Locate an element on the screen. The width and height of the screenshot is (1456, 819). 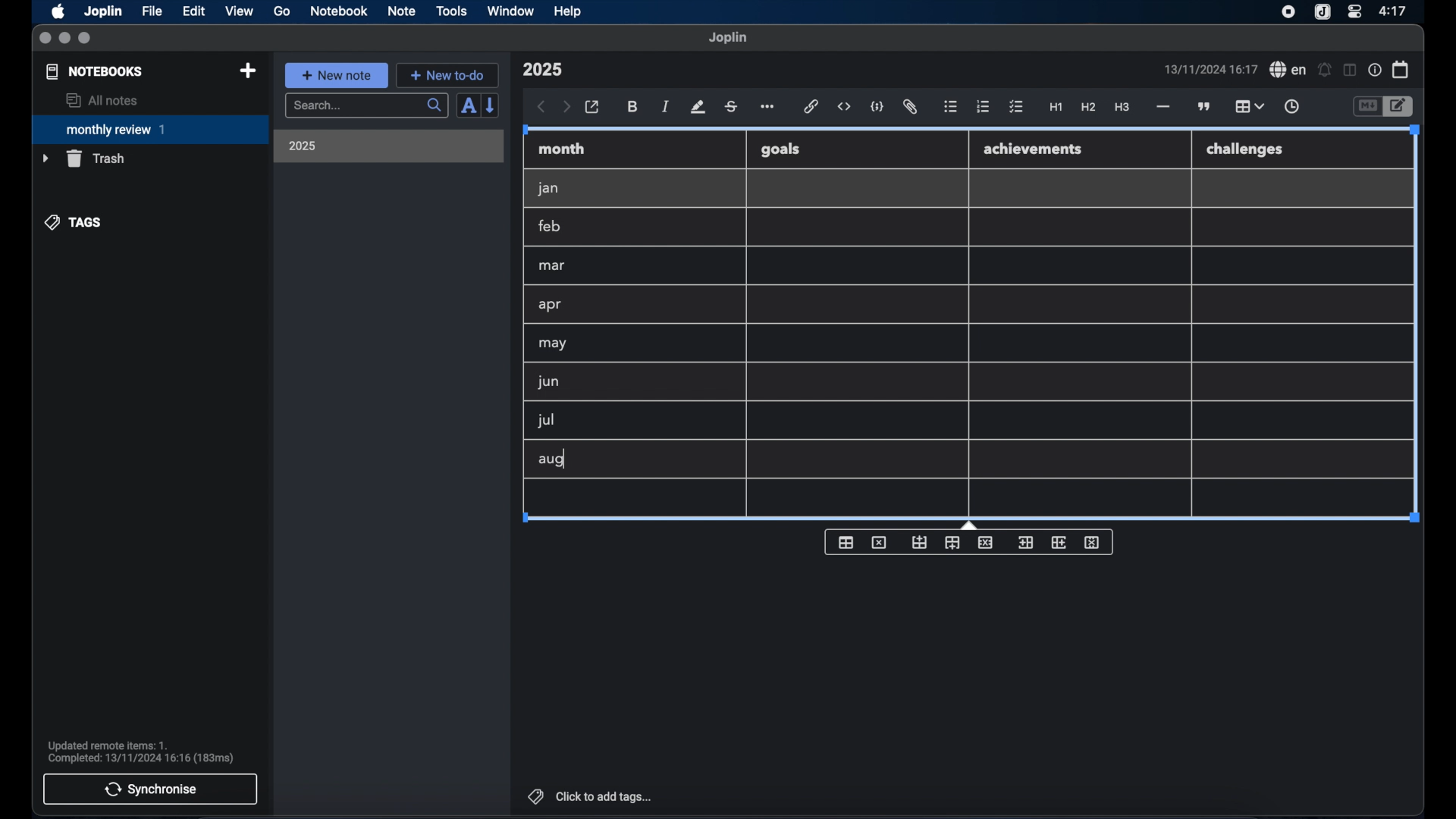
new notebook is located at coordinates (247, 71).